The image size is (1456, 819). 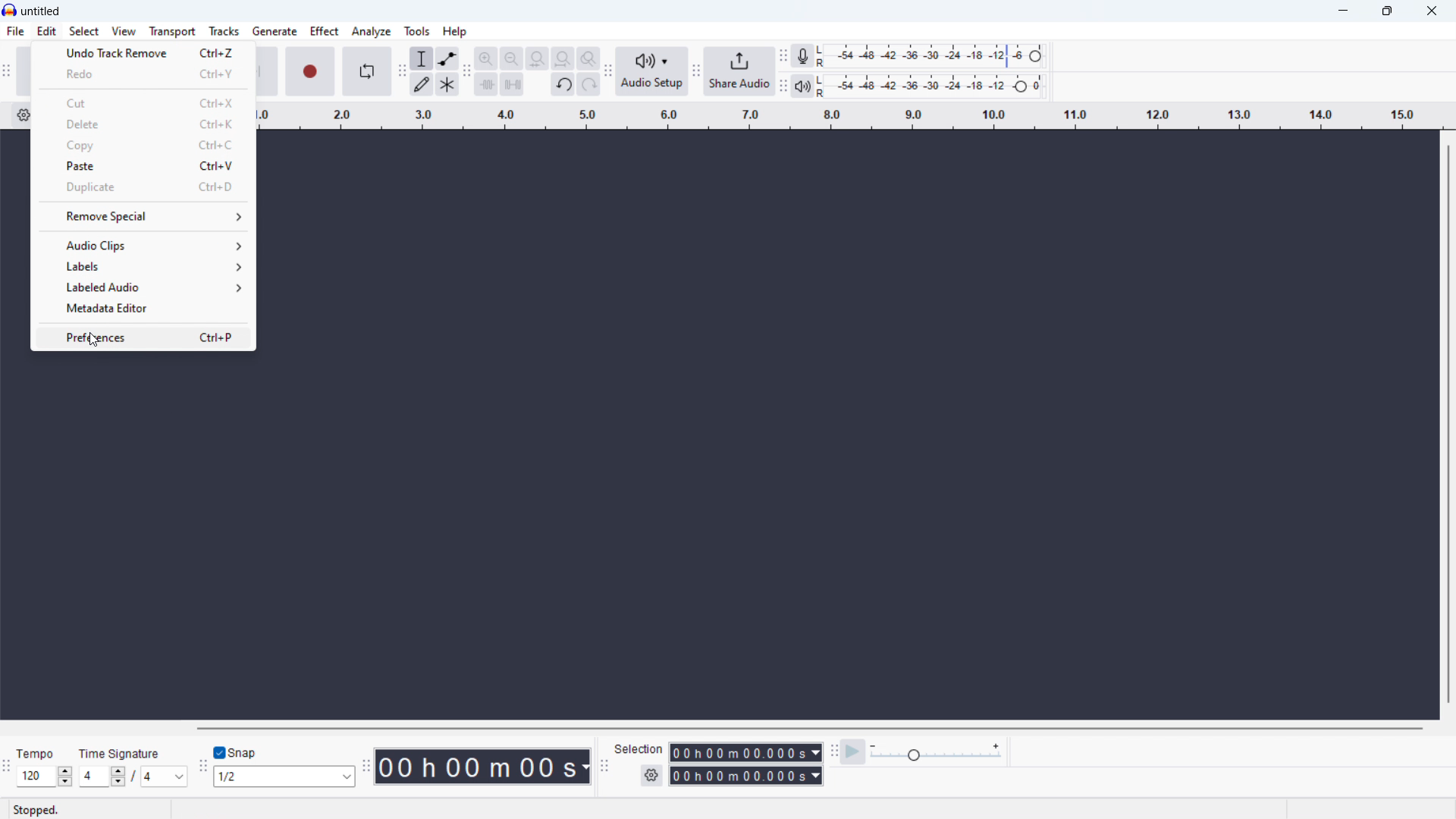 What do you see at coordinates (811, 729) in the screenshot?
I see `horizontal scrollbar` at bounding box center [811, 729].